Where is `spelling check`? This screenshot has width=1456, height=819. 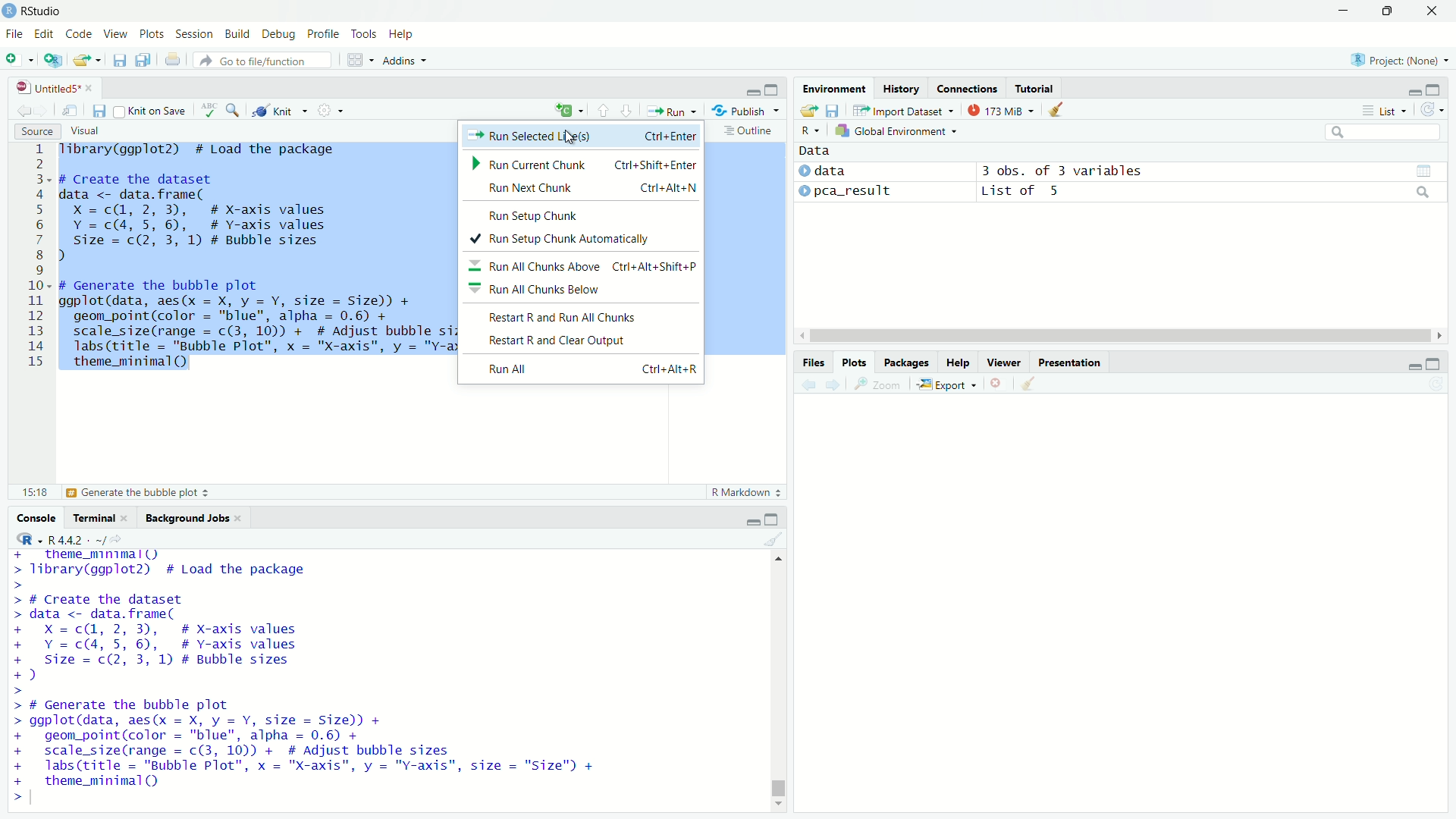 spelling check is located at coordinates (209, 110).